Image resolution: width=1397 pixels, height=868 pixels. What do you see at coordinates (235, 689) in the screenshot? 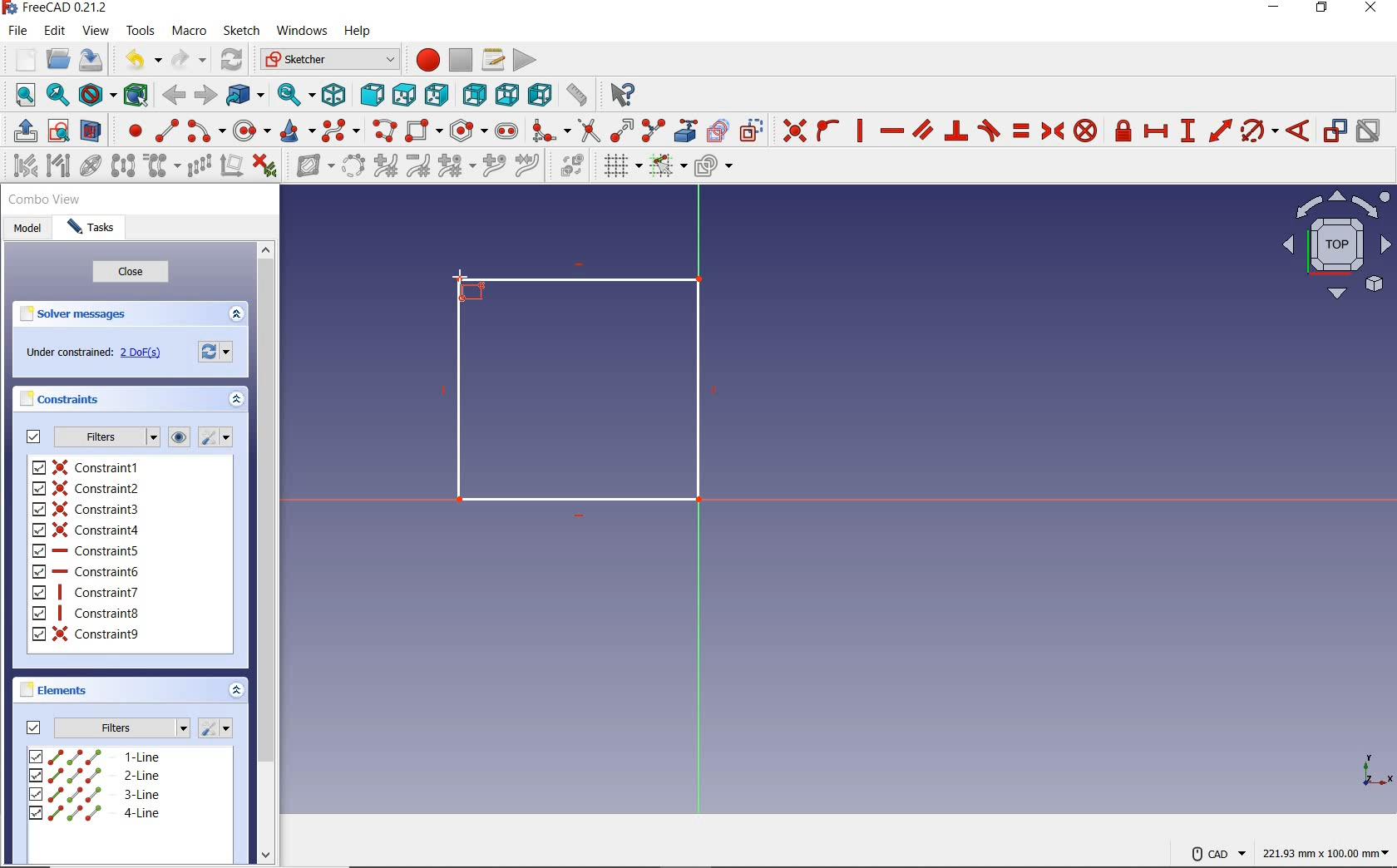
I see `expand` at bounding box center [235, 689].